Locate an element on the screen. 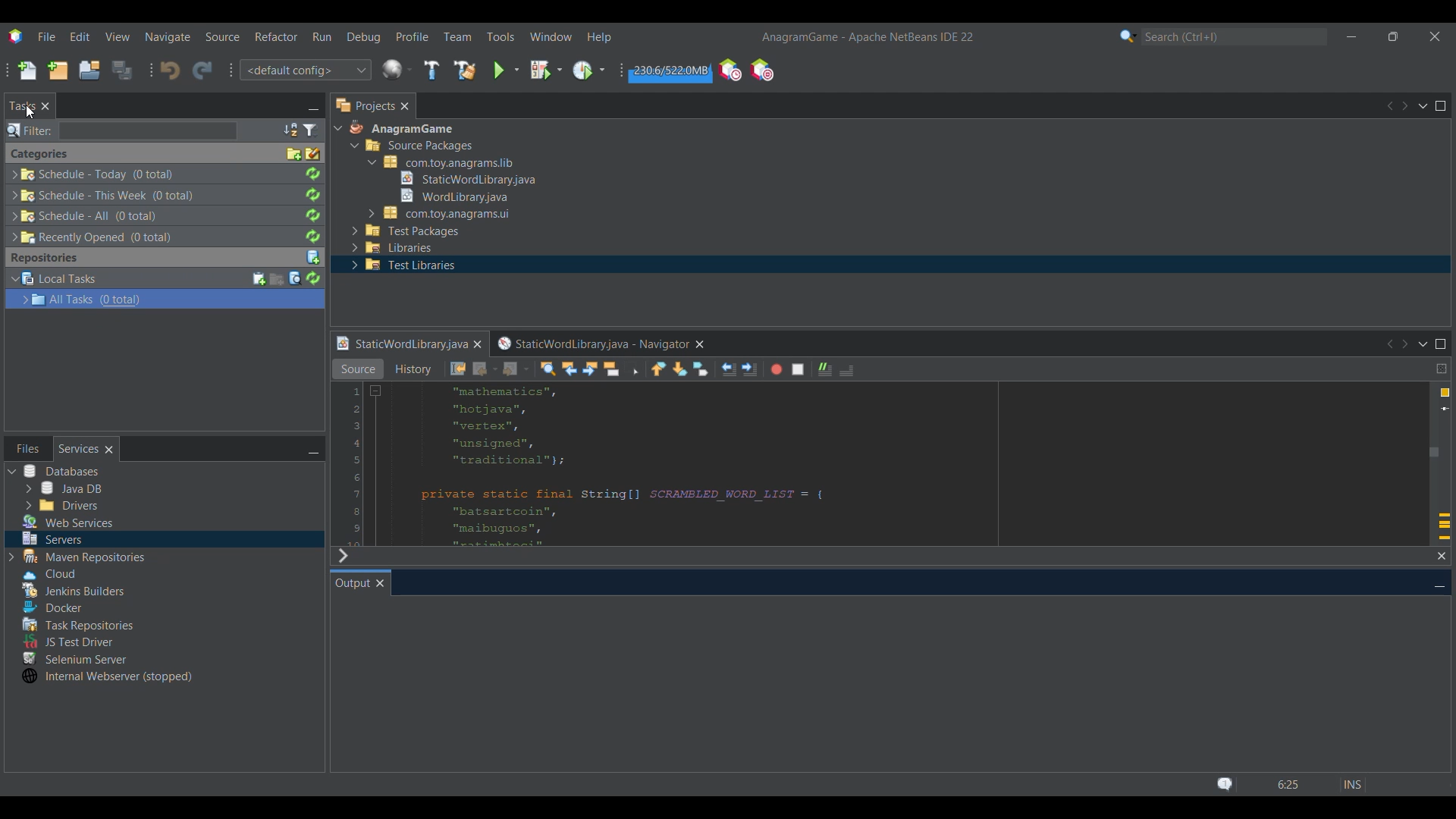 The height and width of the screenshot is (819, 1456). cursor is located at coordinates (33, 114).